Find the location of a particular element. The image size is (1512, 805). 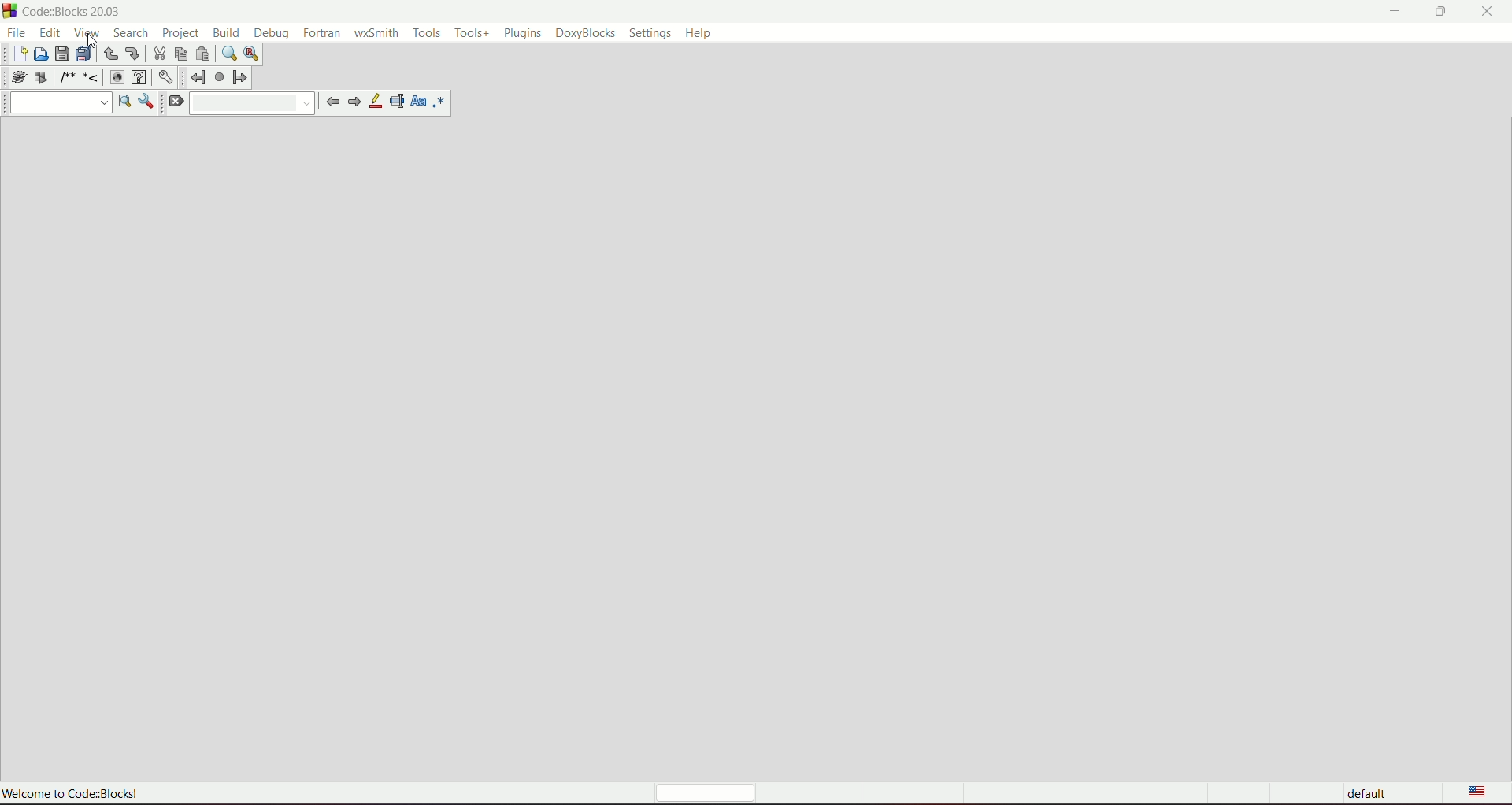

selected text is located at coordinates (398, 100).